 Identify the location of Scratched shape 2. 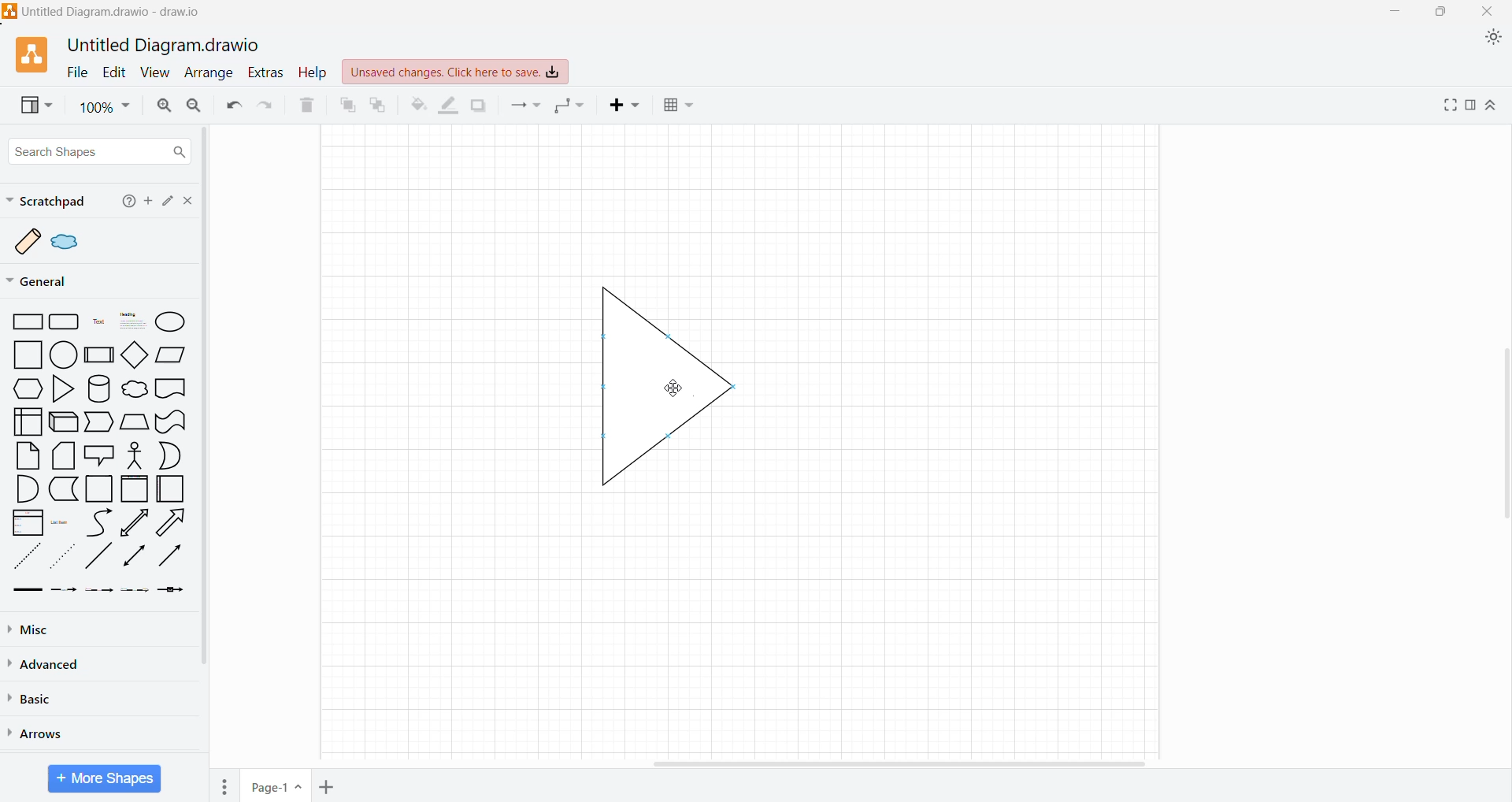
(67, 240).